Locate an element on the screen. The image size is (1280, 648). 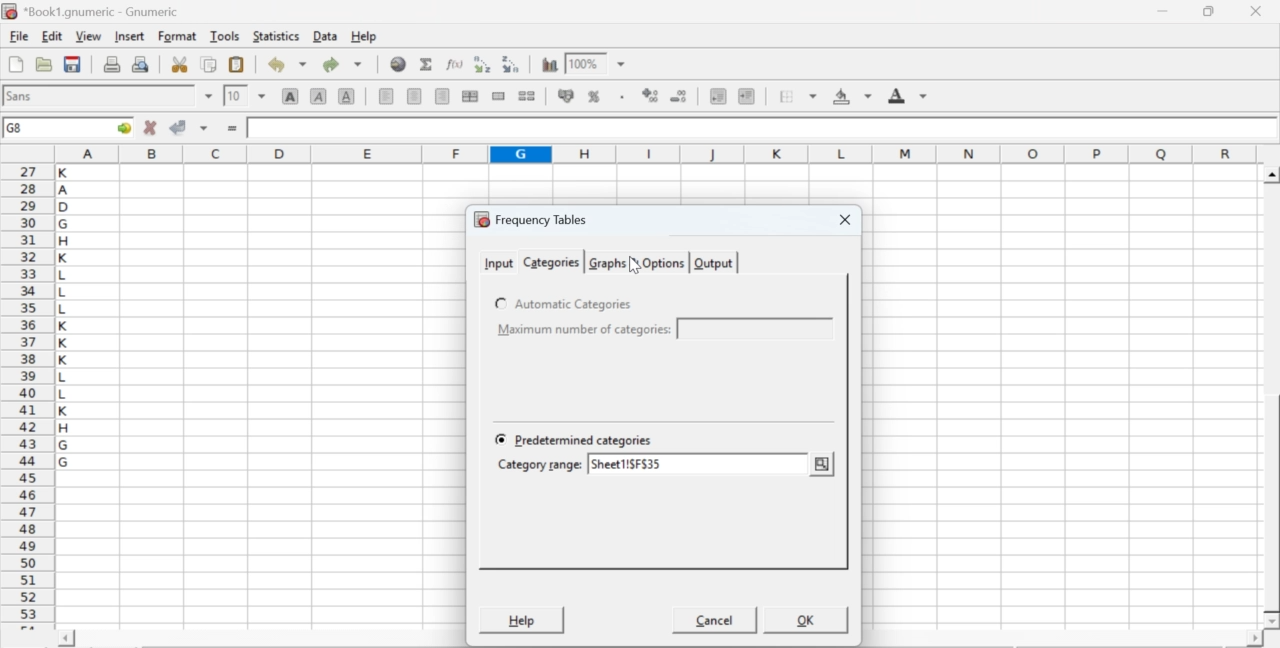
insert hyperlink is located at coordinates (399, 64).